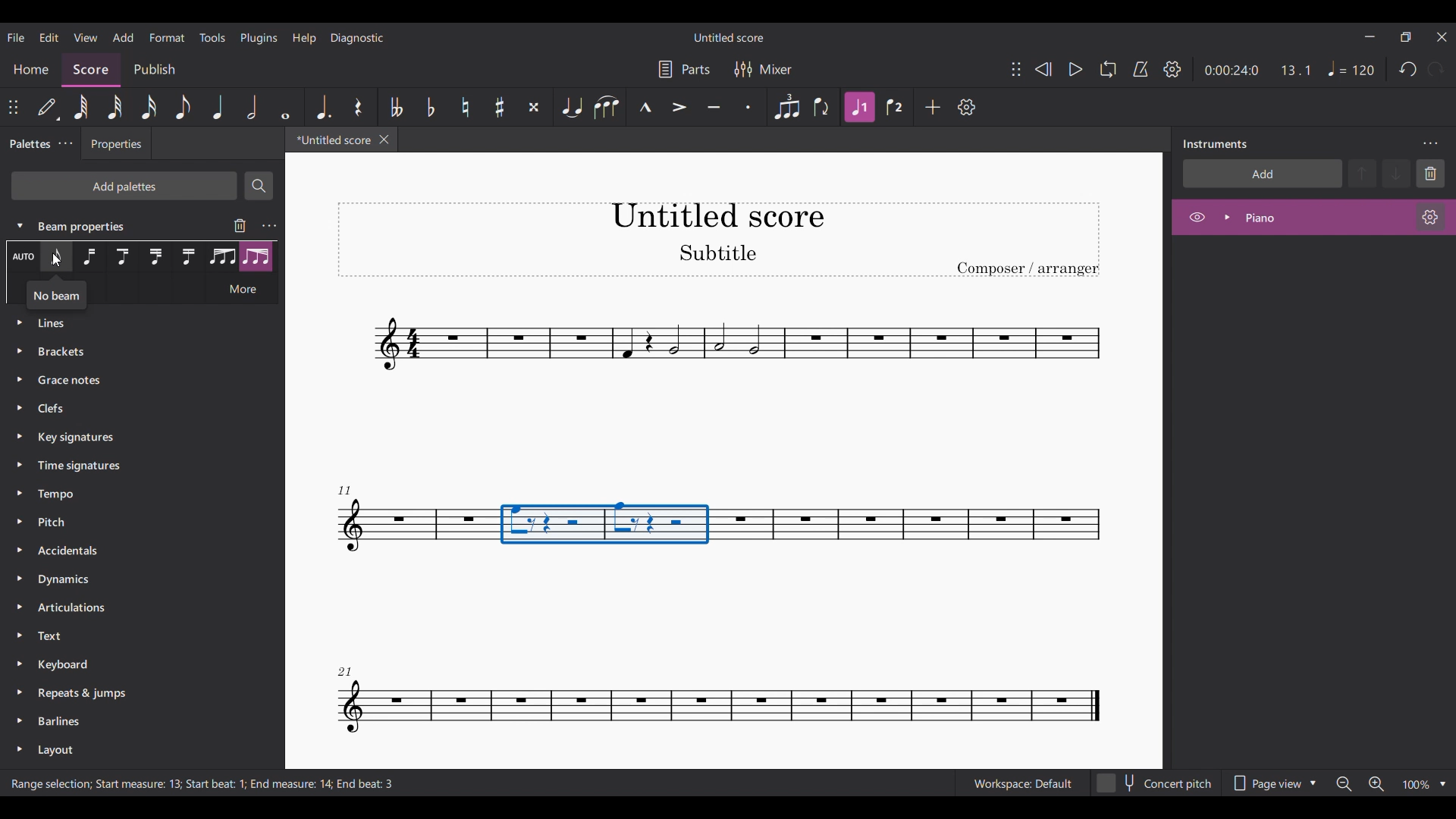 The width and height of the screenshot is (1456, 819). What do you see at coordinates (1430, 144) in the screenshot?
I see `Panel settings` at bounding box center [1430, 144].